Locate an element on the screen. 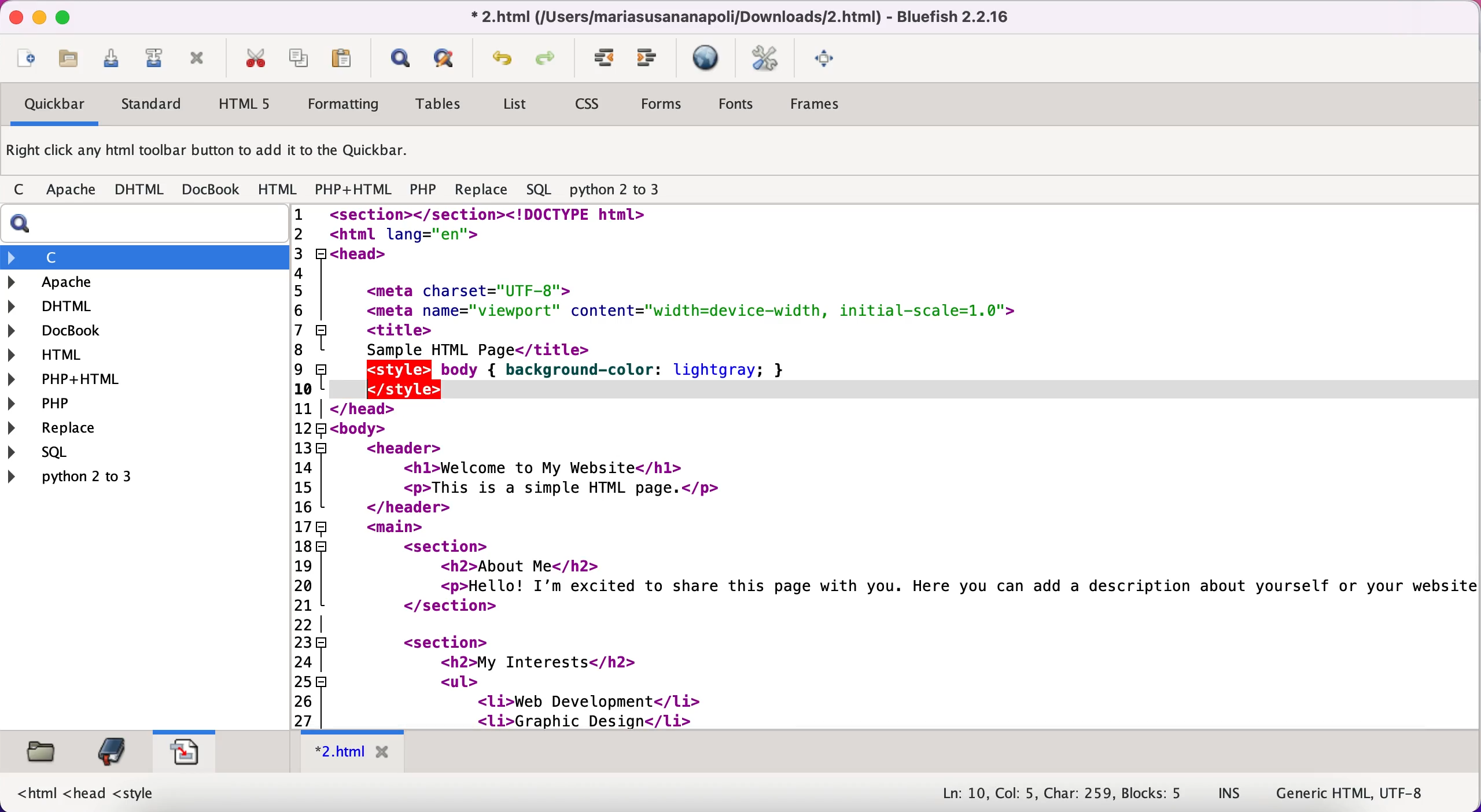 The height and width of the screenshot is (812, 1481). html is located at coordinates (279, 190).